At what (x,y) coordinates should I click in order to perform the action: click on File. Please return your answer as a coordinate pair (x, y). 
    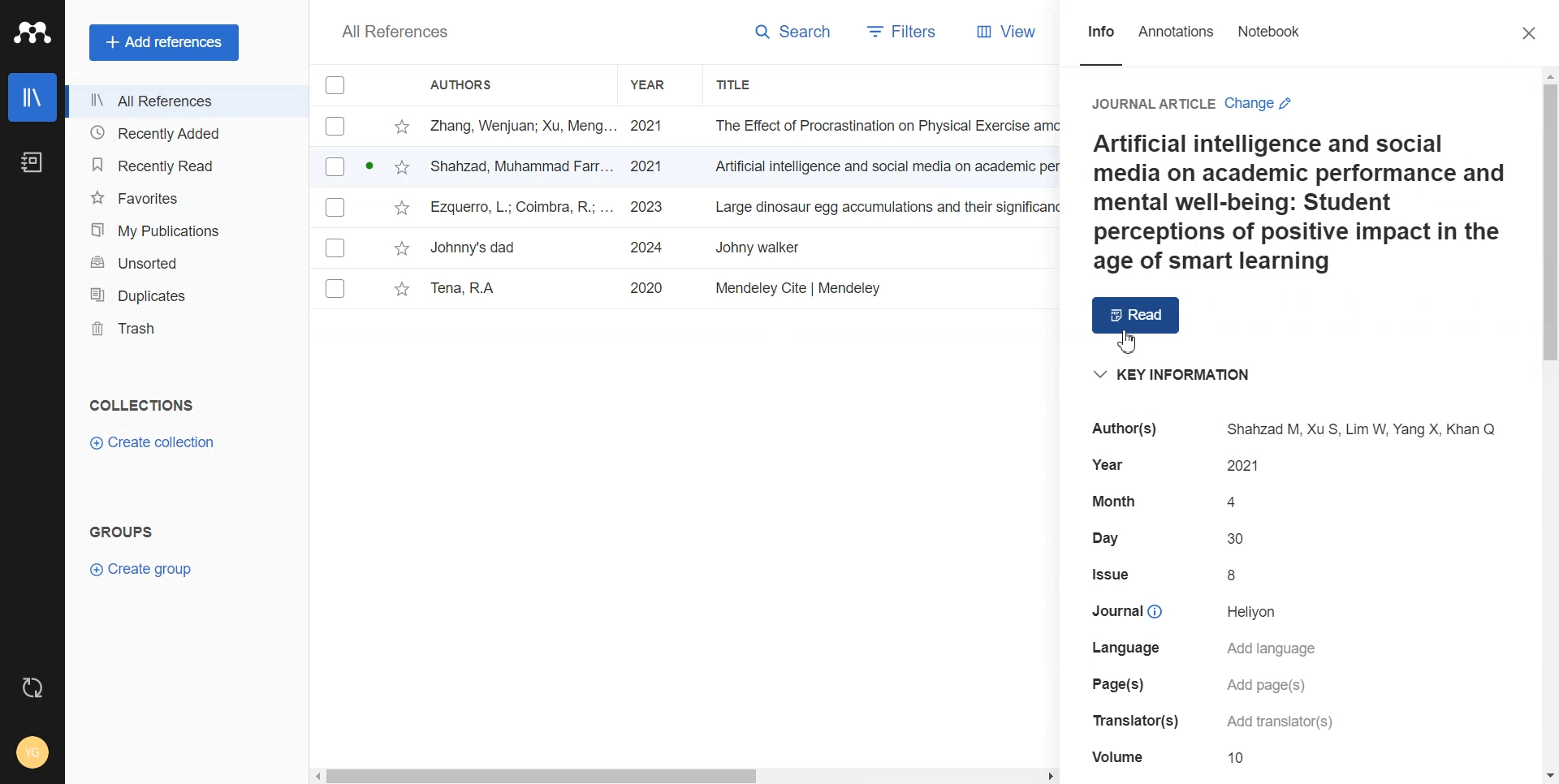
    Looking at the image, I should click on (682, 290).